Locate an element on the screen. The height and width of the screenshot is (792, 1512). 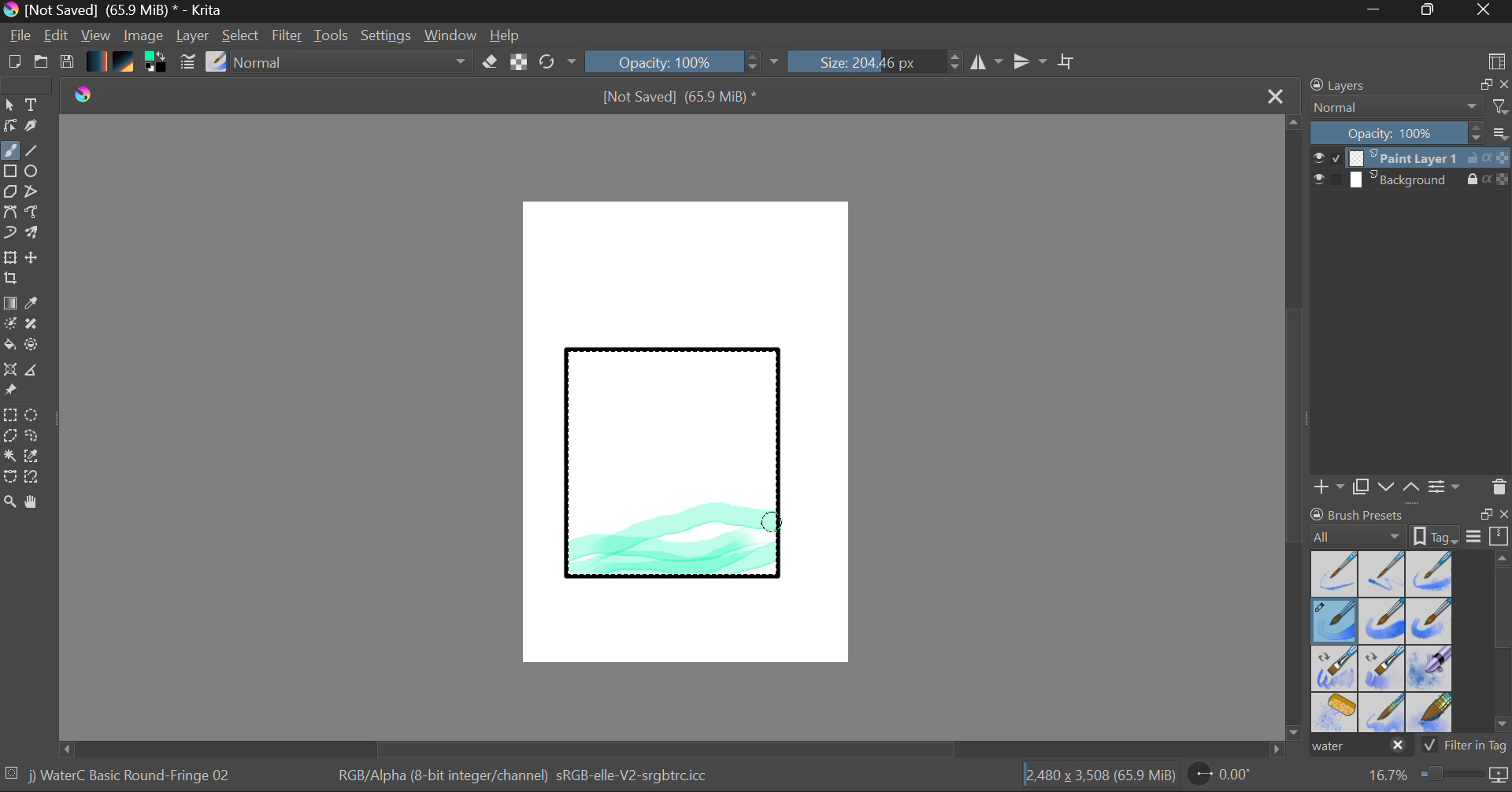
Opacity is located at coordinates (684, 61).